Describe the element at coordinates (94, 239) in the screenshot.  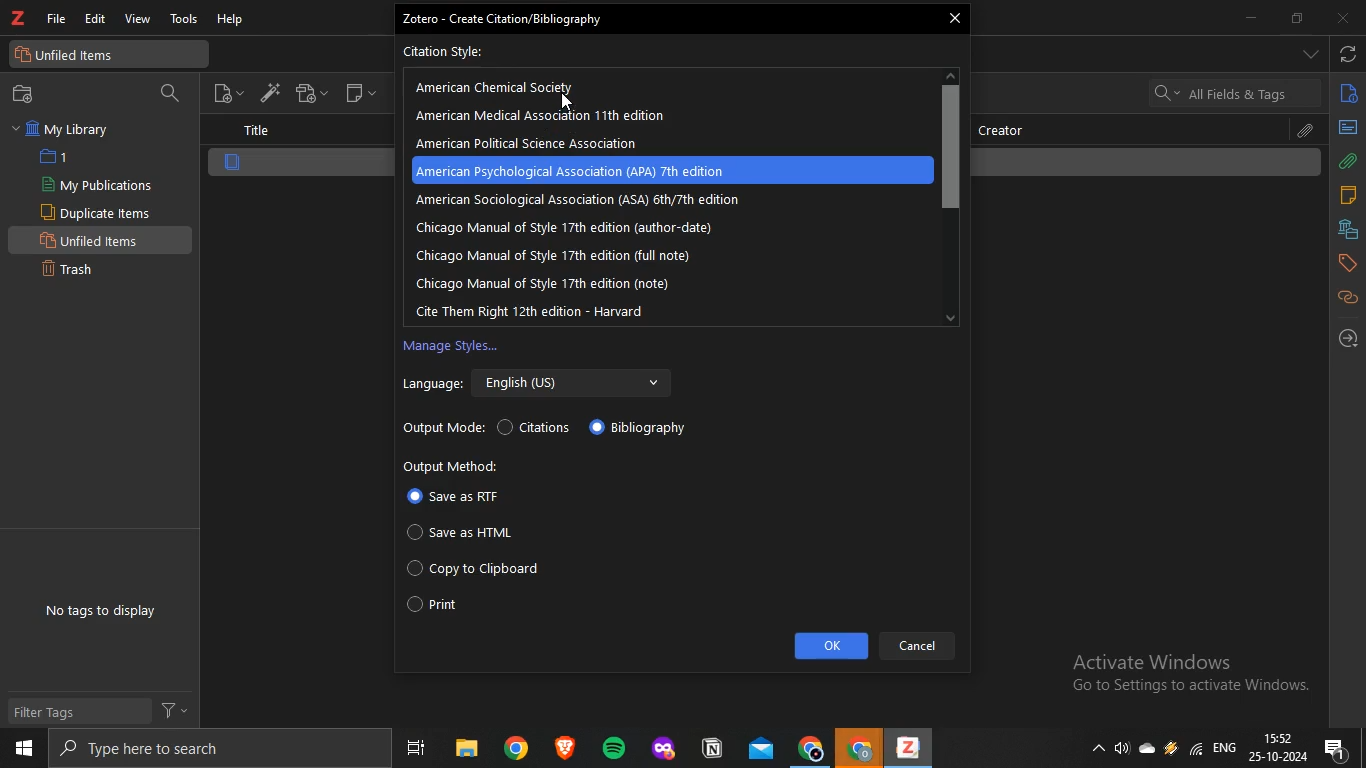
I see `Unfiled Items` at that location.